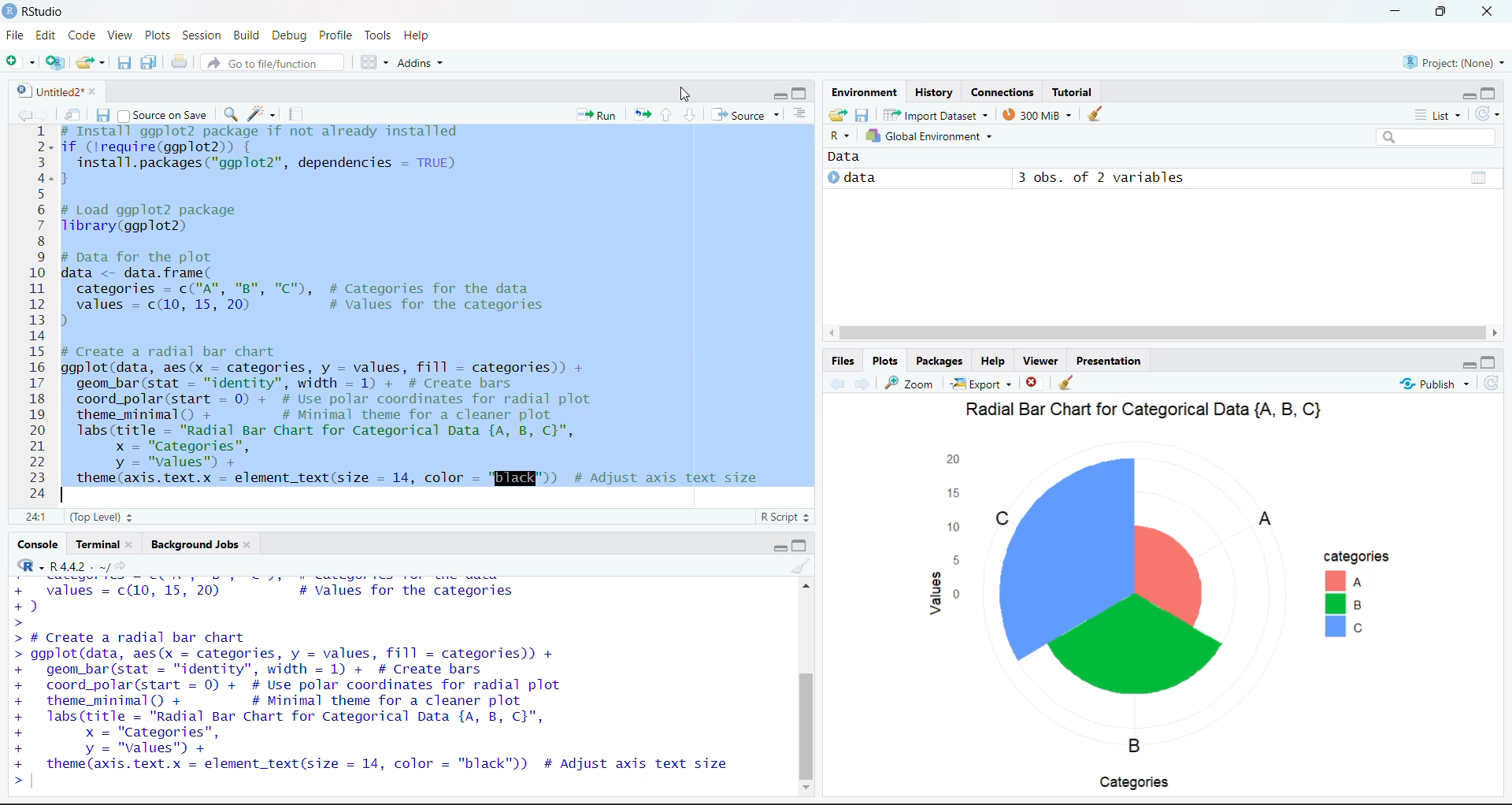  Describe the element at coordinates (121, 64) in the screenshot. I see `save current document` at that location.